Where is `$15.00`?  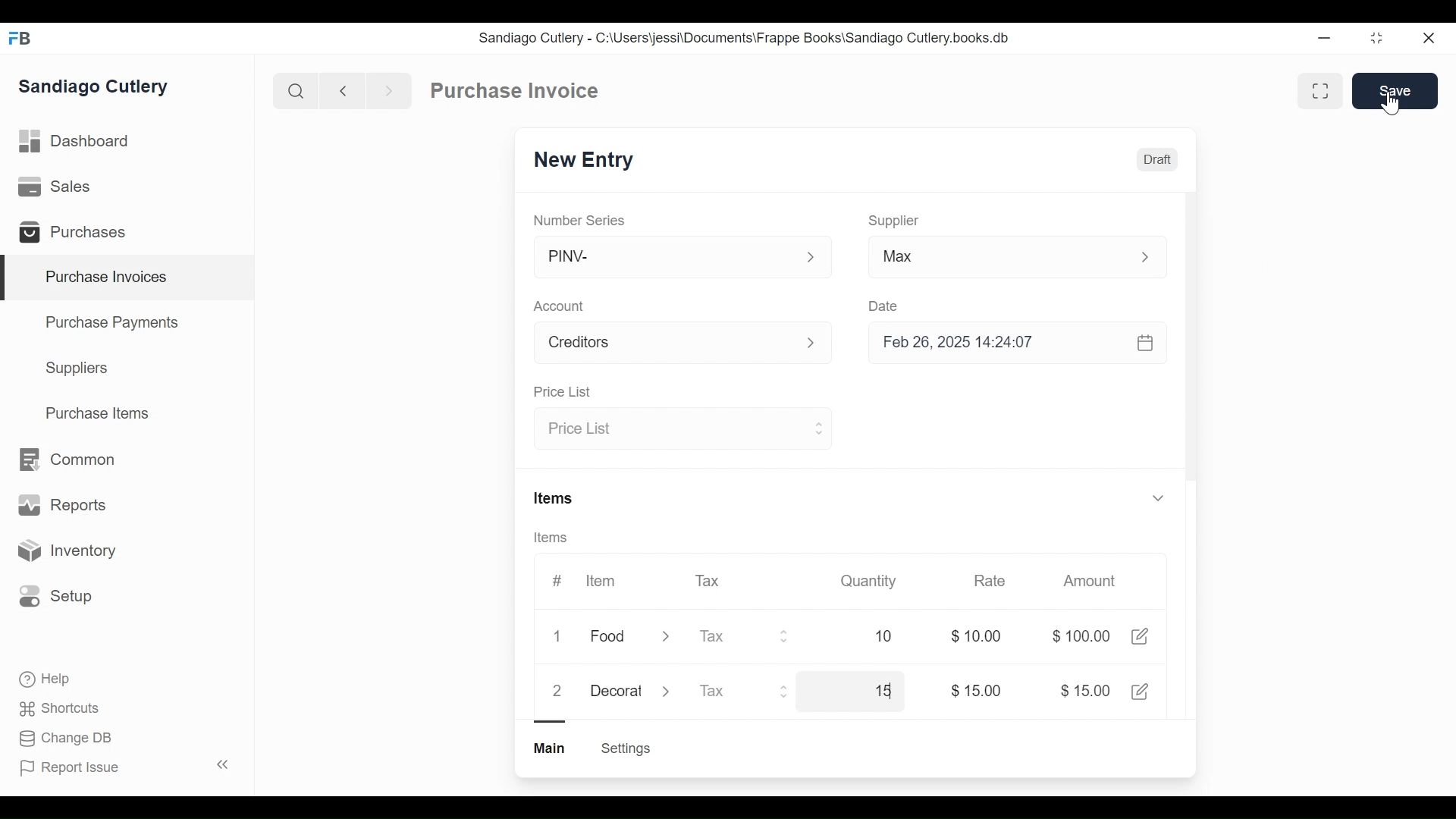 $15.00 is located at coordinates (1085, 690).